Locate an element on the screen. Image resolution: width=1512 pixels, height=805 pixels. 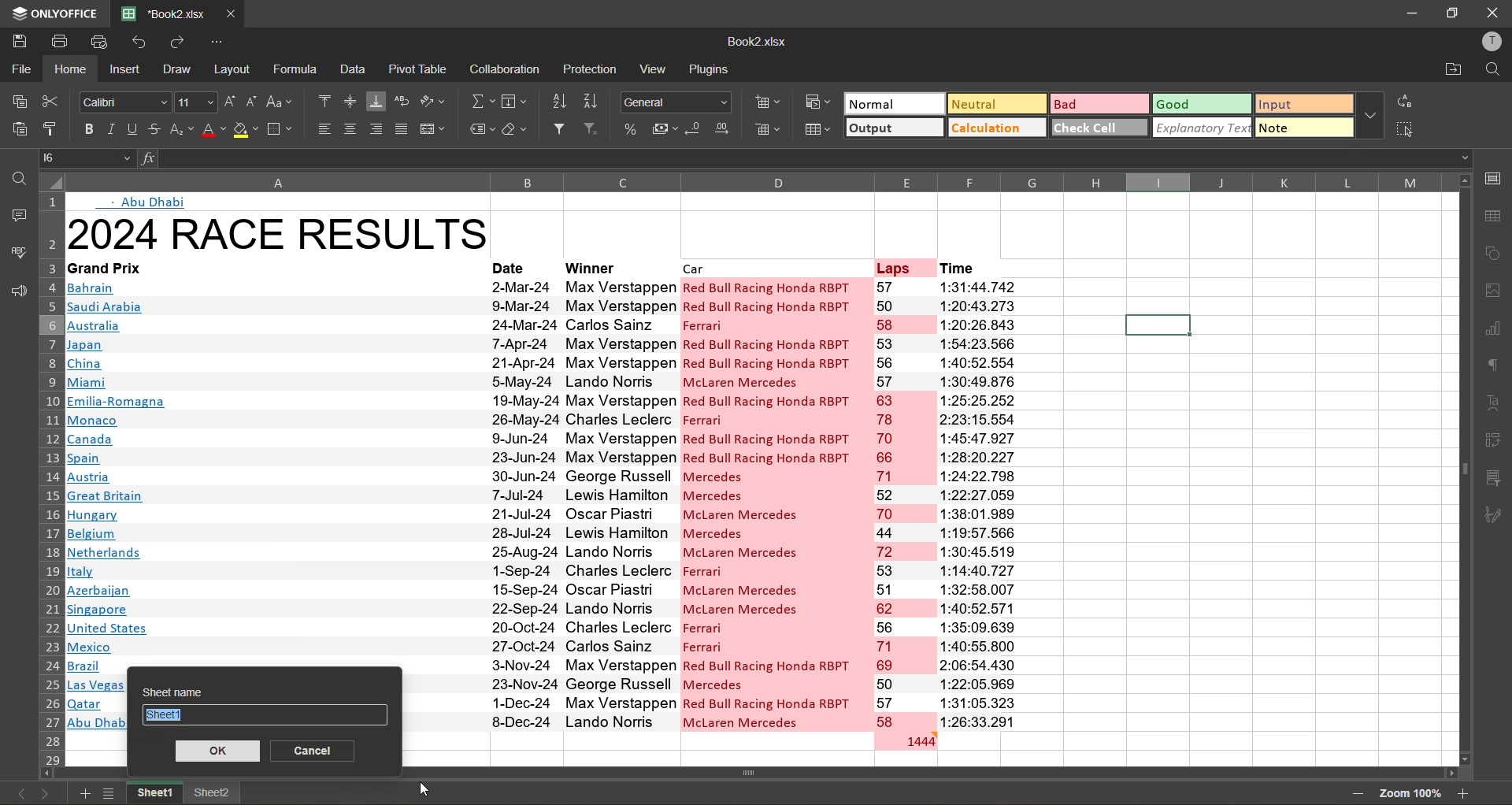
total is located at coordinates (903, 740).